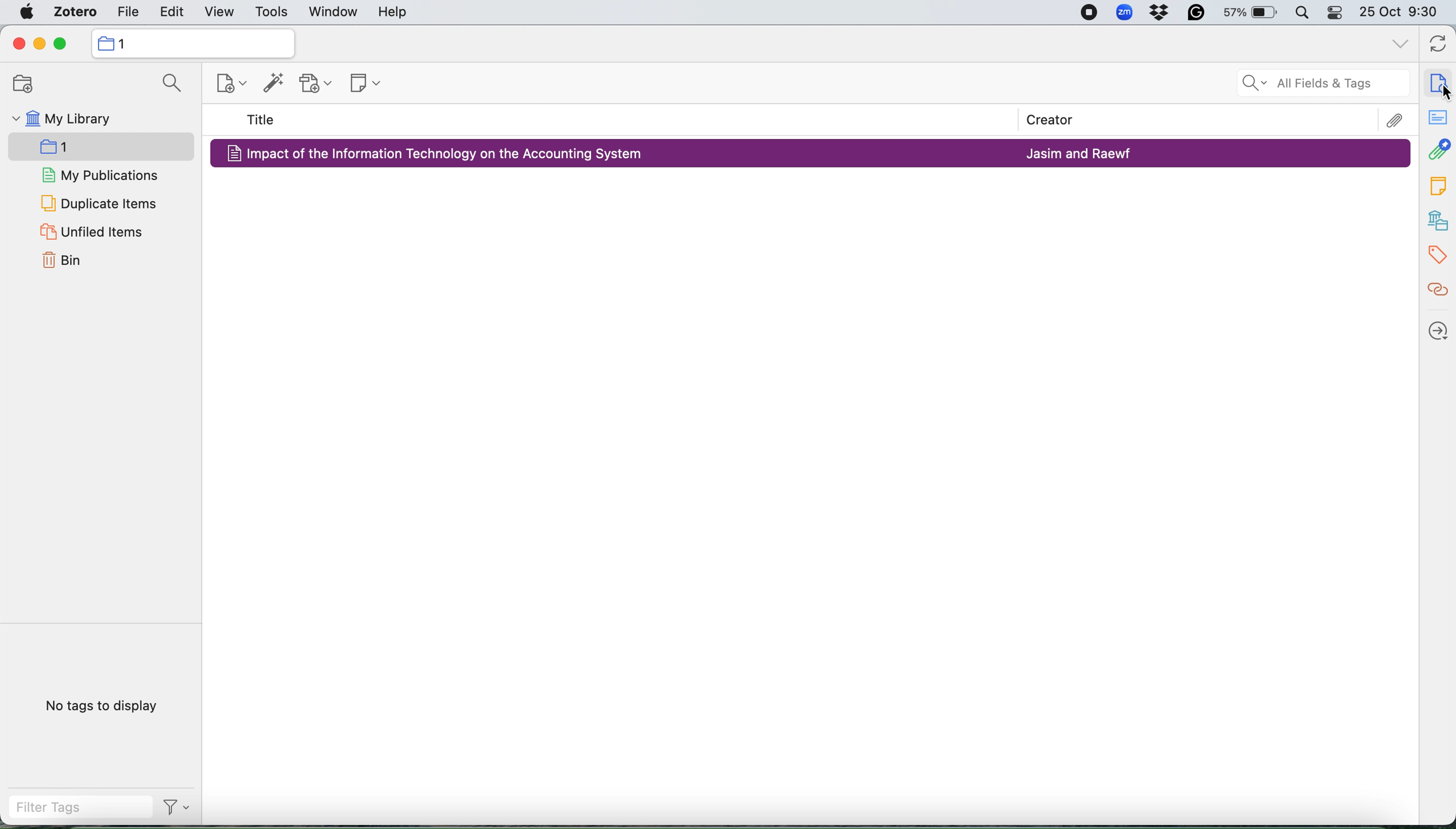  What do you see at coordinates (333, 12) in the screenshot?
I see `window` at bounding box center [333, 12].